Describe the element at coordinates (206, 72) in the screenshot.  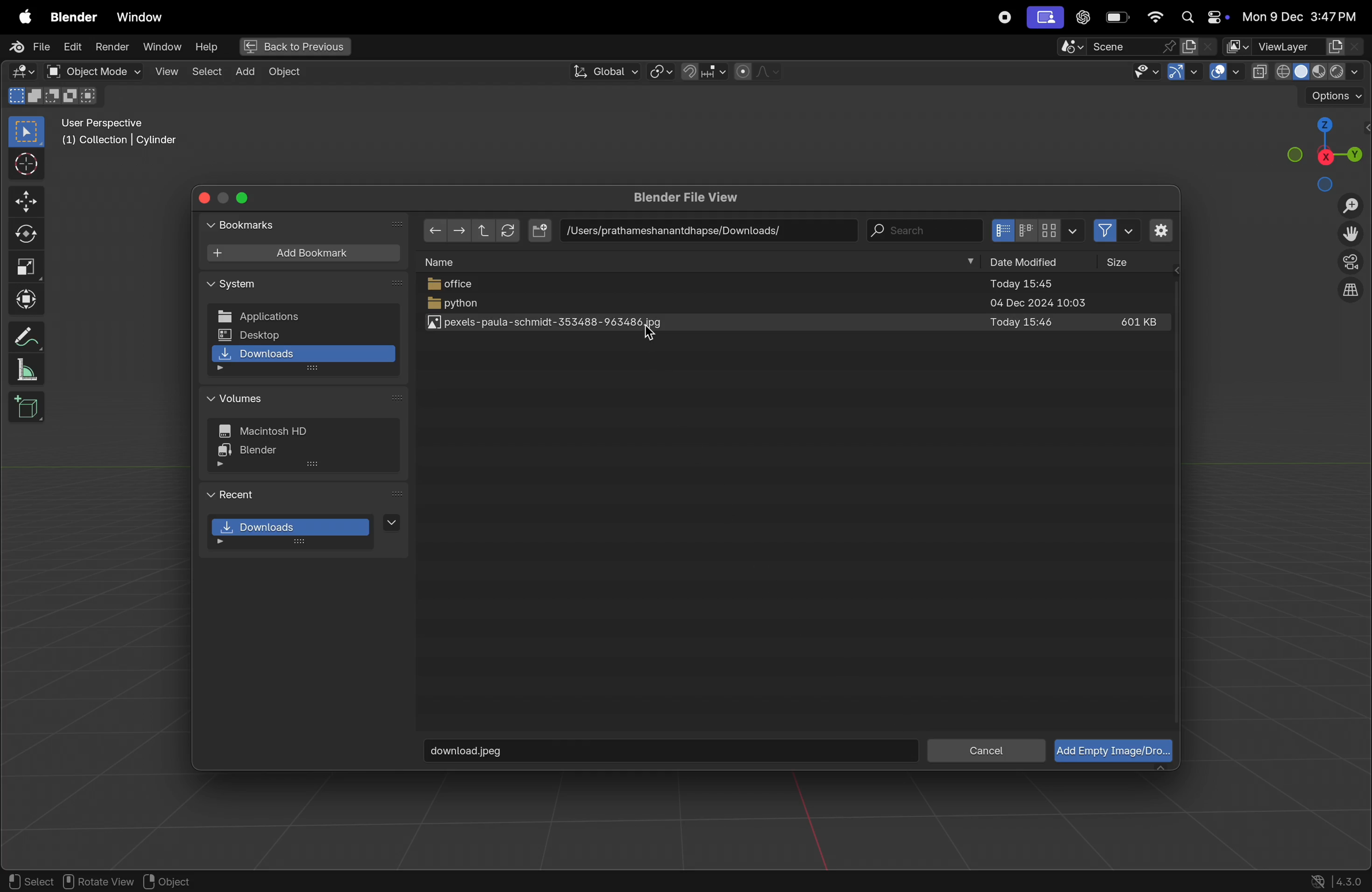
I see `select` at that location.